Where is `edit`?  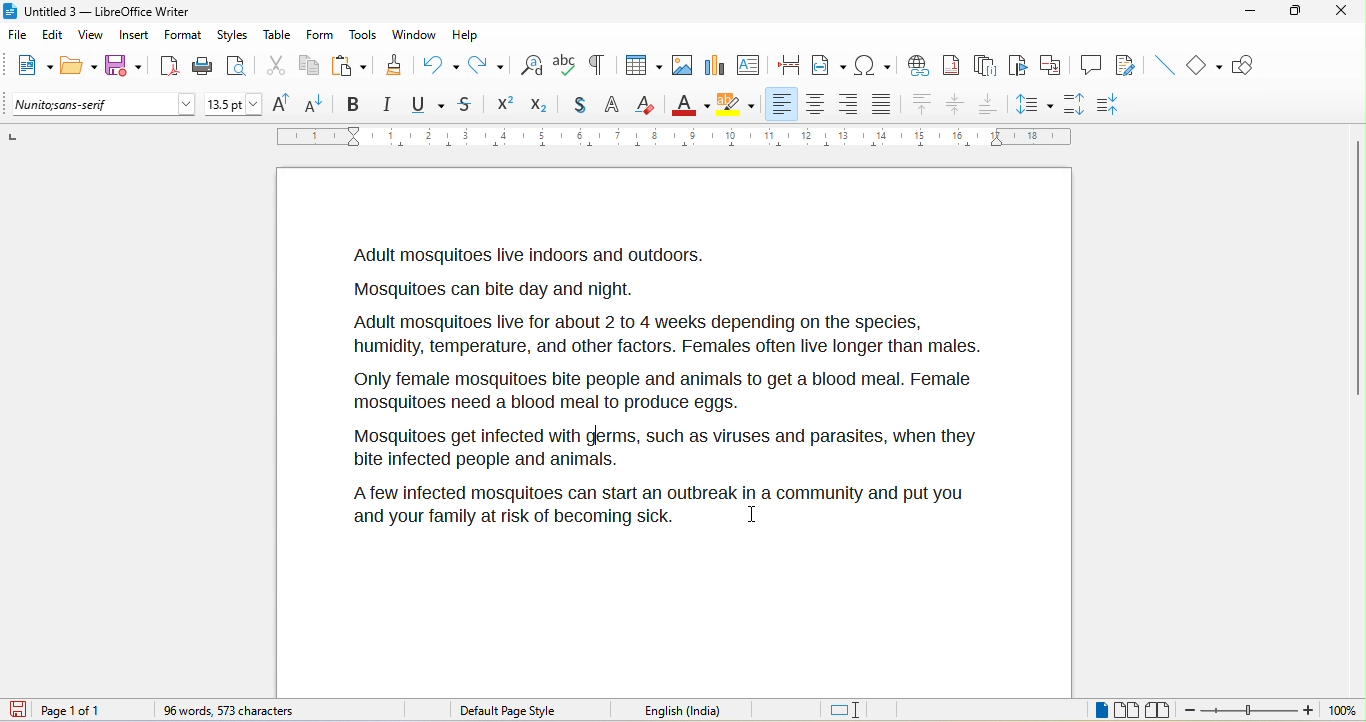
edit is located at coordinates (53, 36).